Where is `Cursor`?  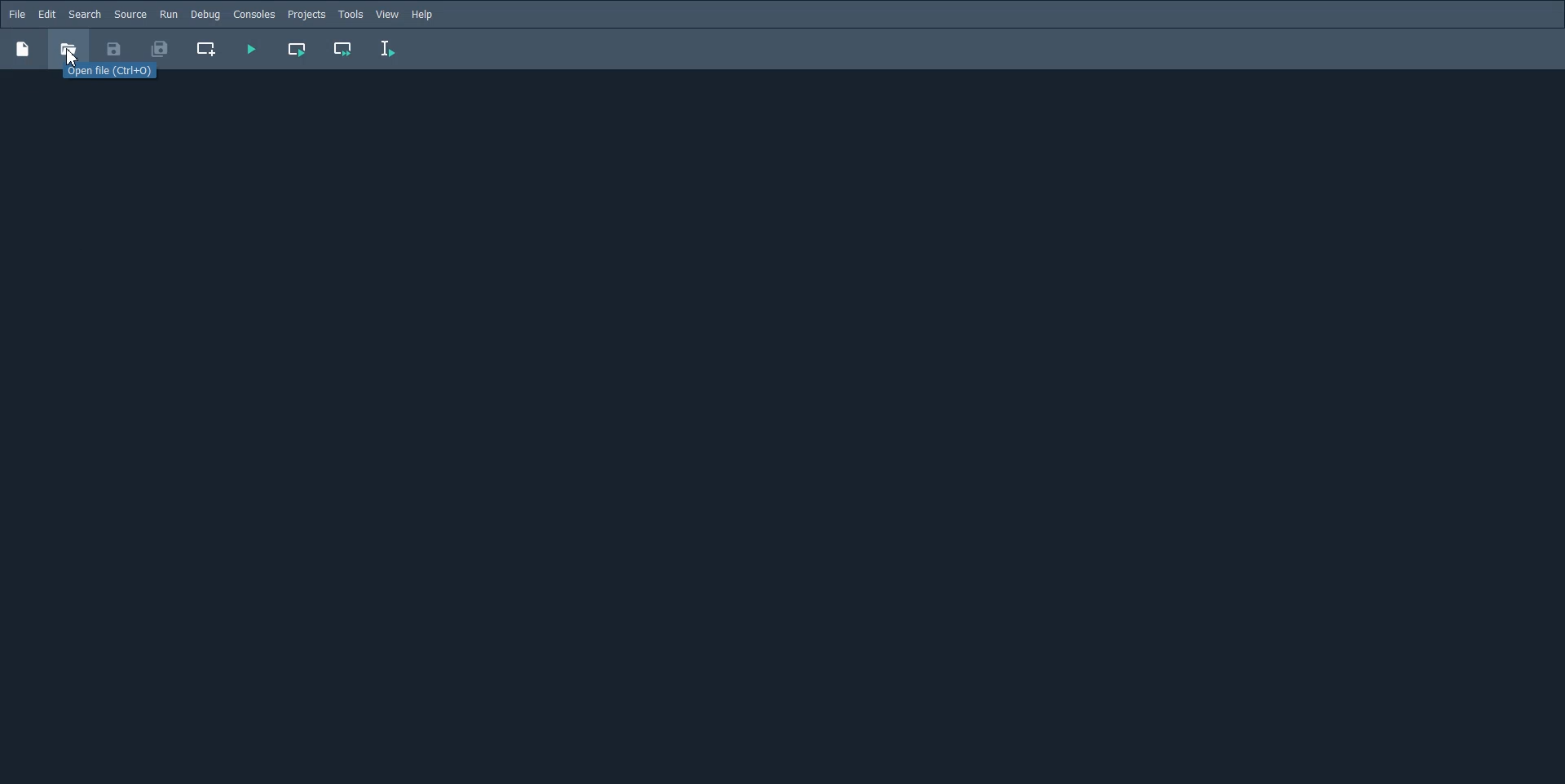 Cursor is located at coordinates (73, 57).